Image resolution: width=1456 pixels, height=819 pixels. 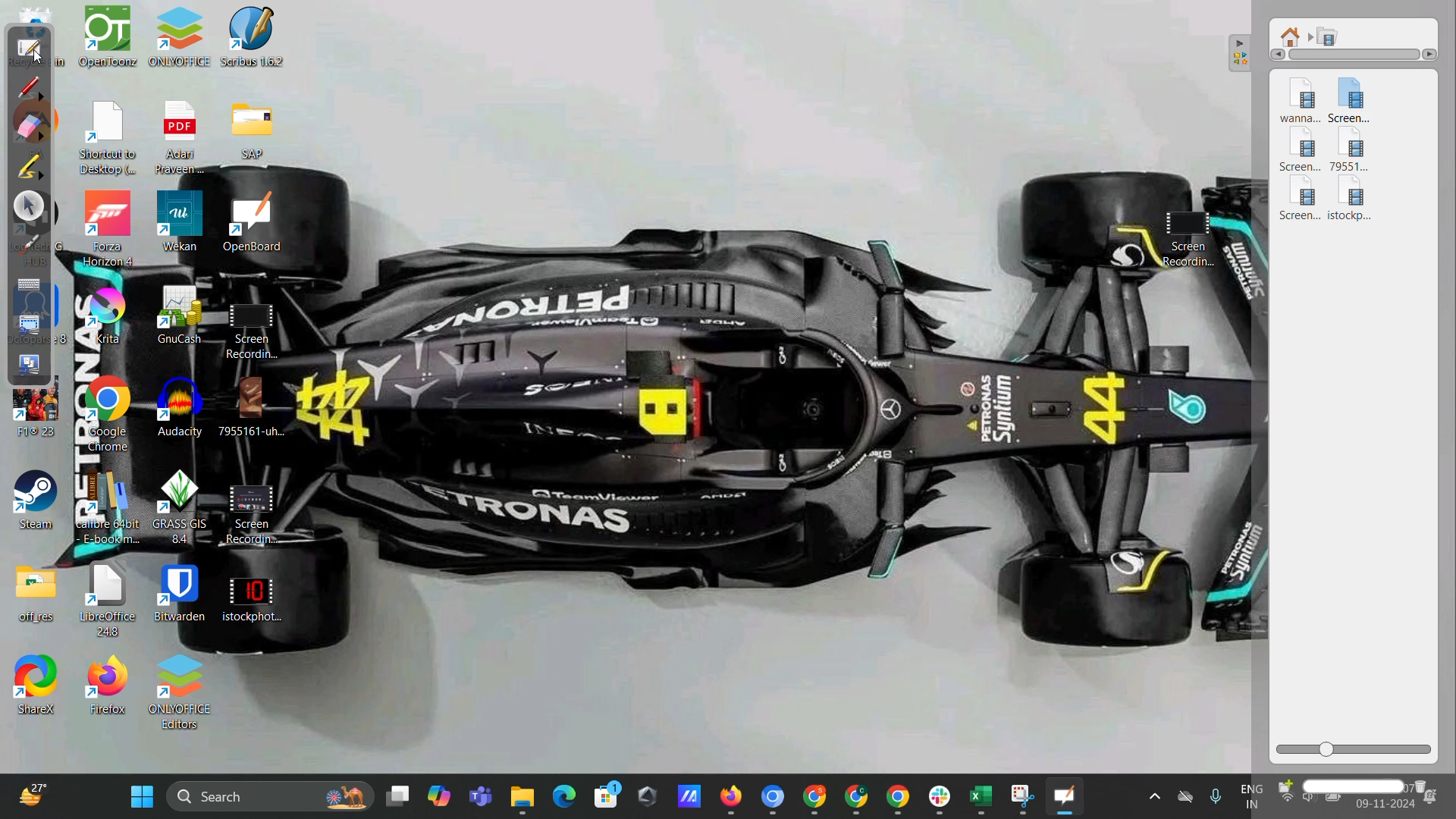 What do you see at coordinates (144, 799) in the screenshot?
I see `windows` at bounding box center [144, 799].